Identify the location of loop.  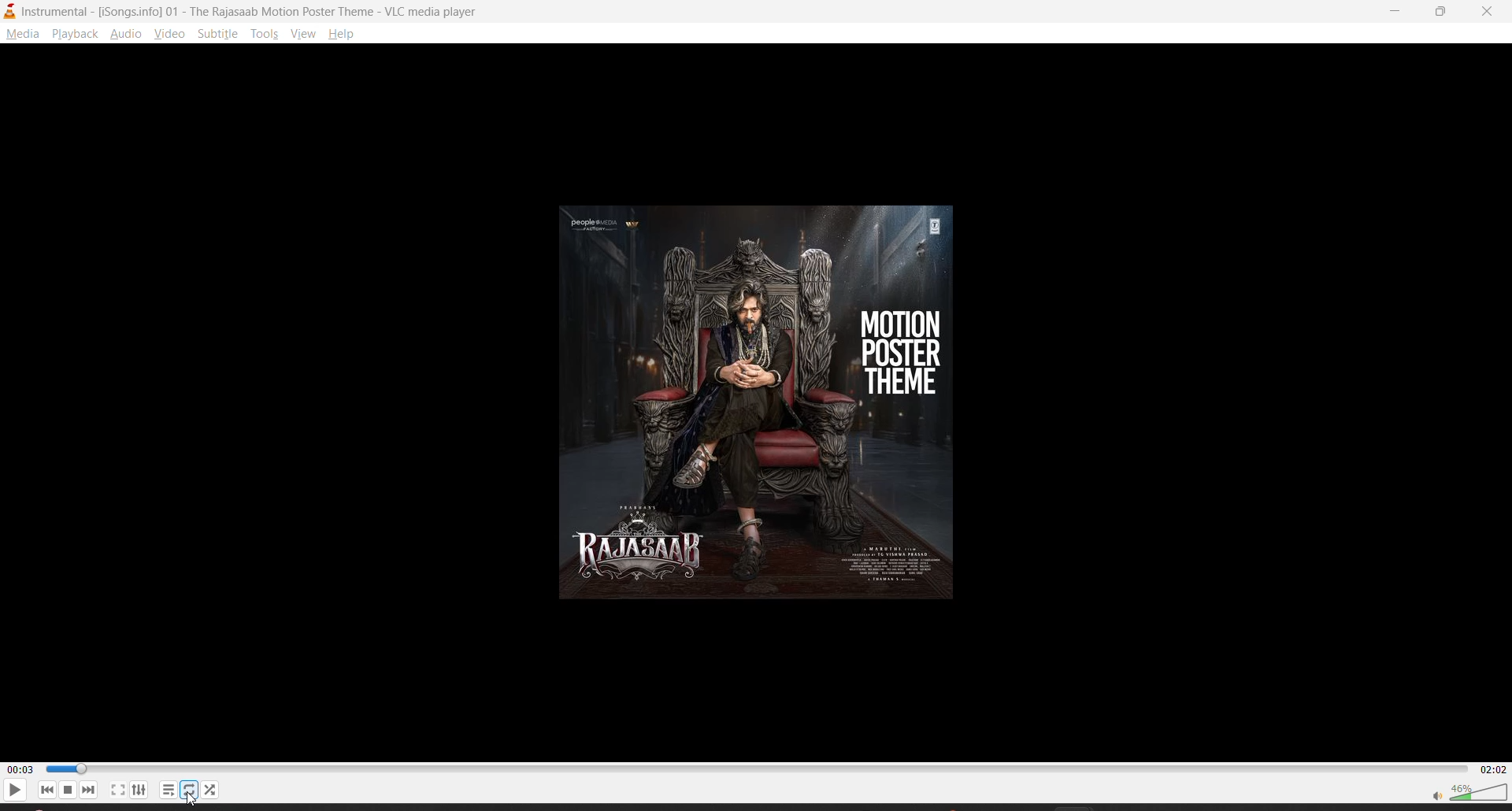
(187, 789).